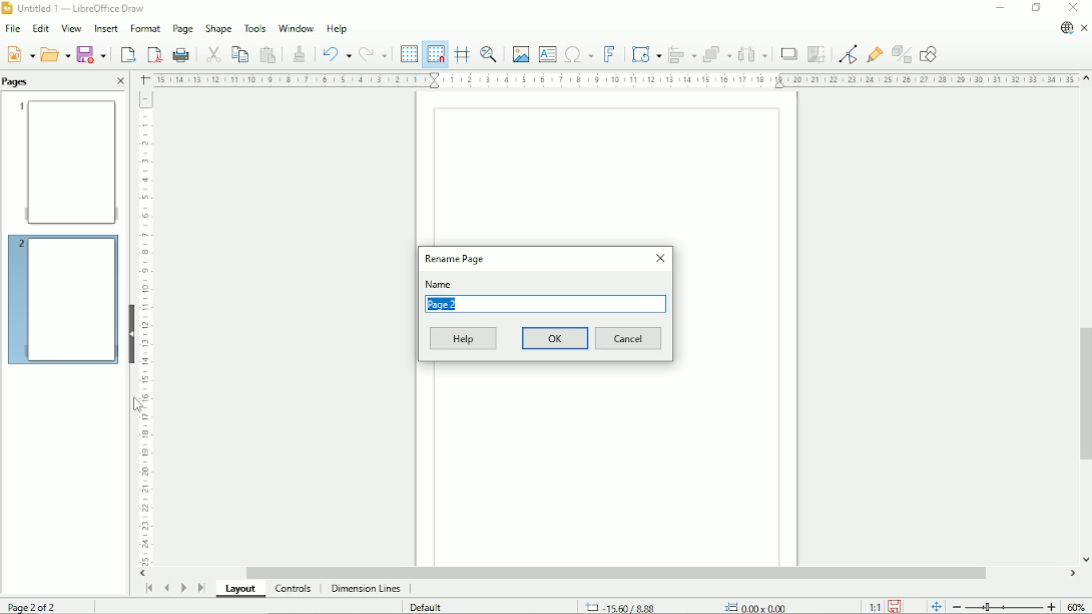 The height and width of the screenshot is (614, 1092). I want to click on Scroll to previous page, so click(166, 588).